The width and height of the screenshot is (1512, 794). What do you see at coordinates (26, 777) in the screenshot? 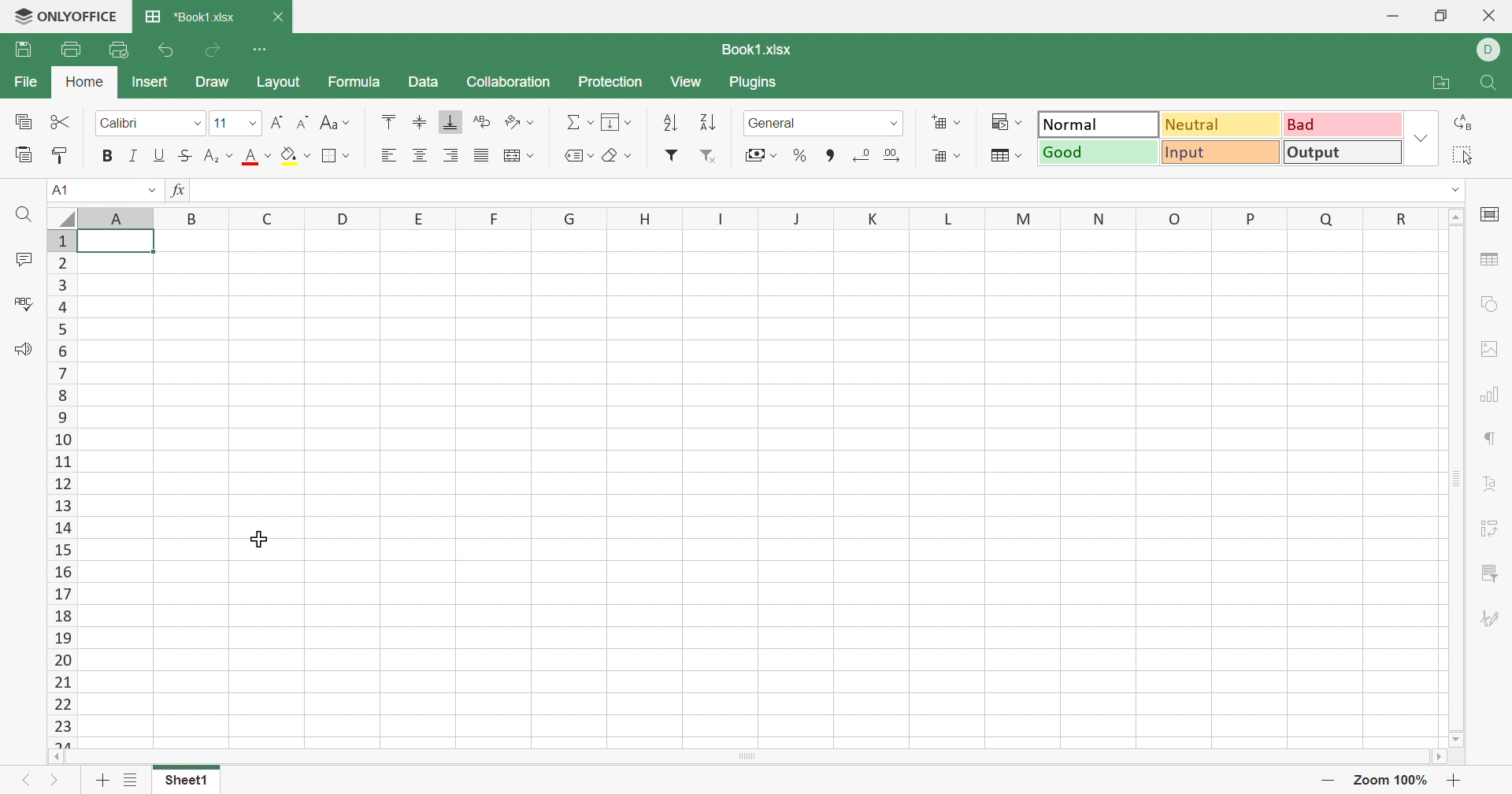
I see `Previous` at bounding box center [26, 777].